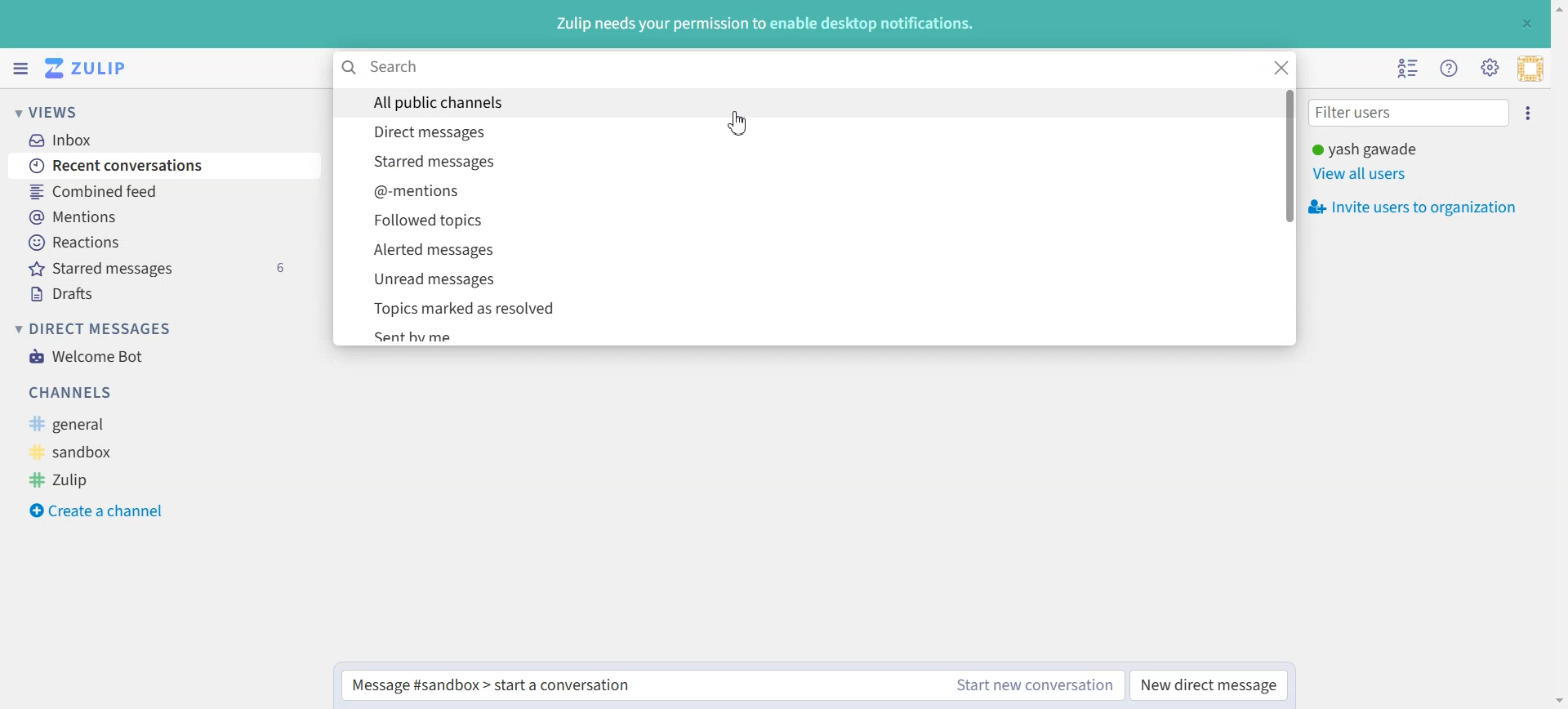 This screenshot has height=709, width=1568. What do you see at coordinates (87, 479) in the screenshot?
I see `Zulip` at bounding box center [87, 479].